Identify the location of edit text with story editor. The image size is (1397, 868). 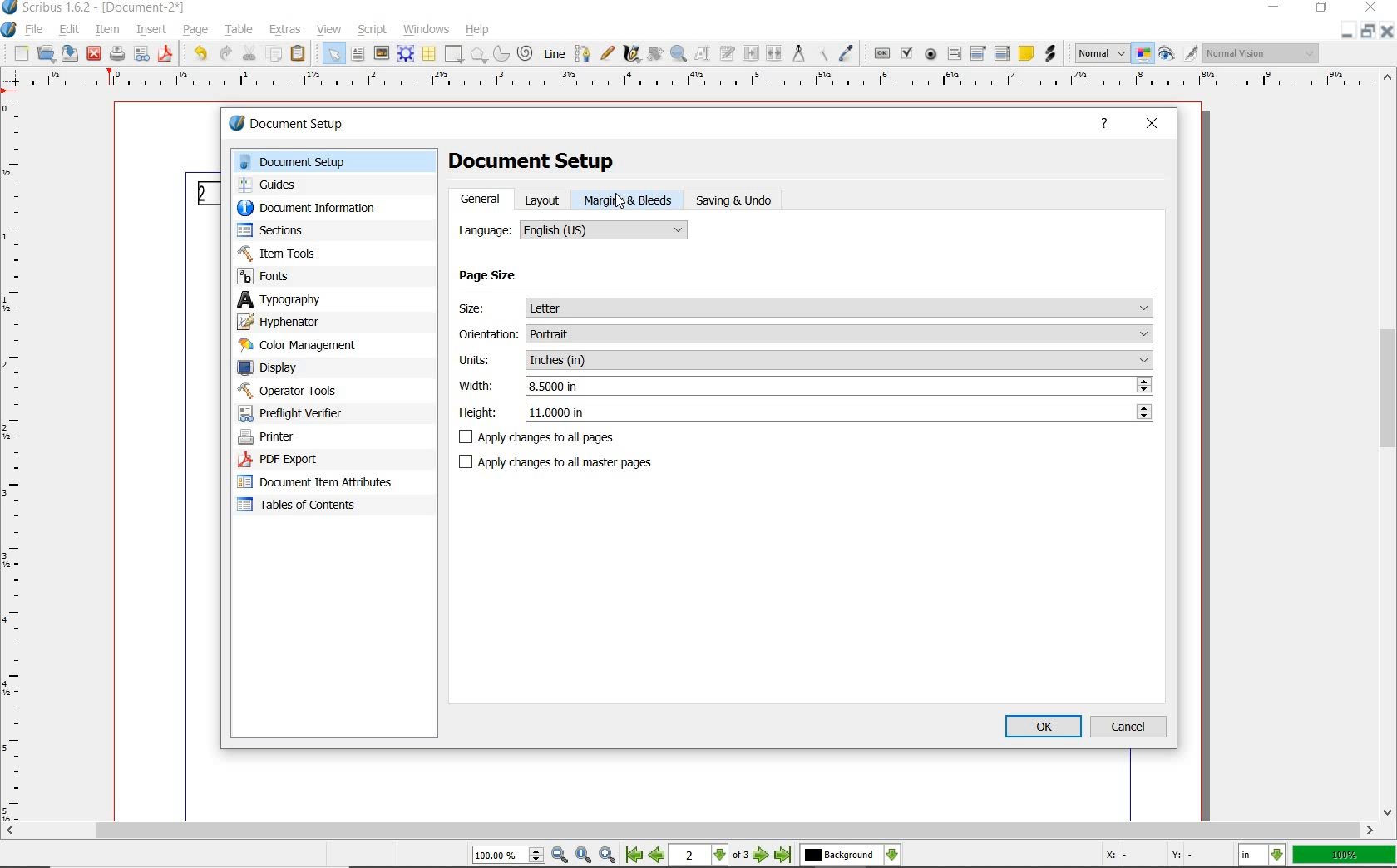
(728, 53).